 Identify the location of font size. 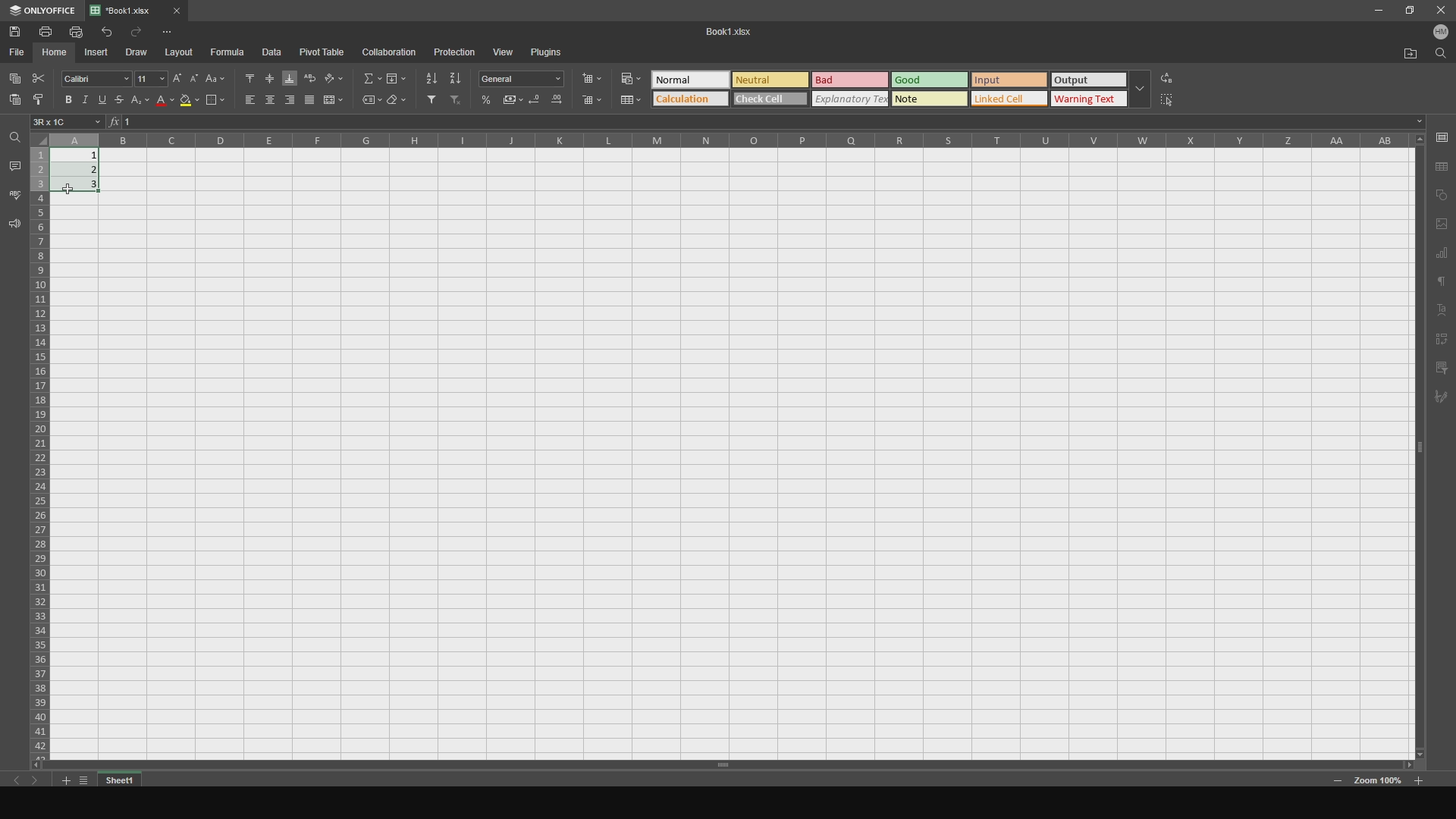
(151, 78).